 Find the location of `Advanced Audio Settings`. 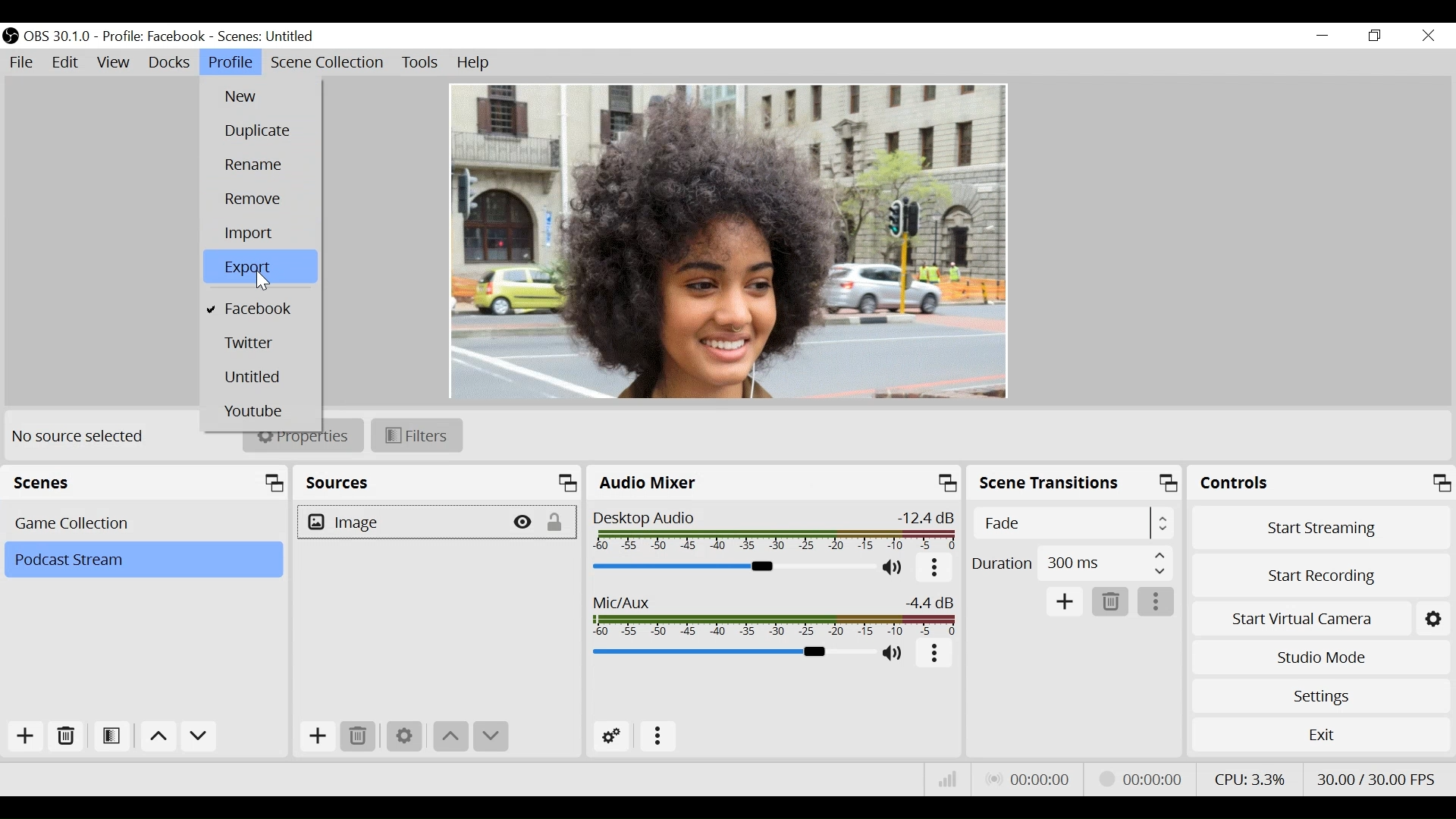

Advanced Audio Settings is located at coordinates (611, 736).